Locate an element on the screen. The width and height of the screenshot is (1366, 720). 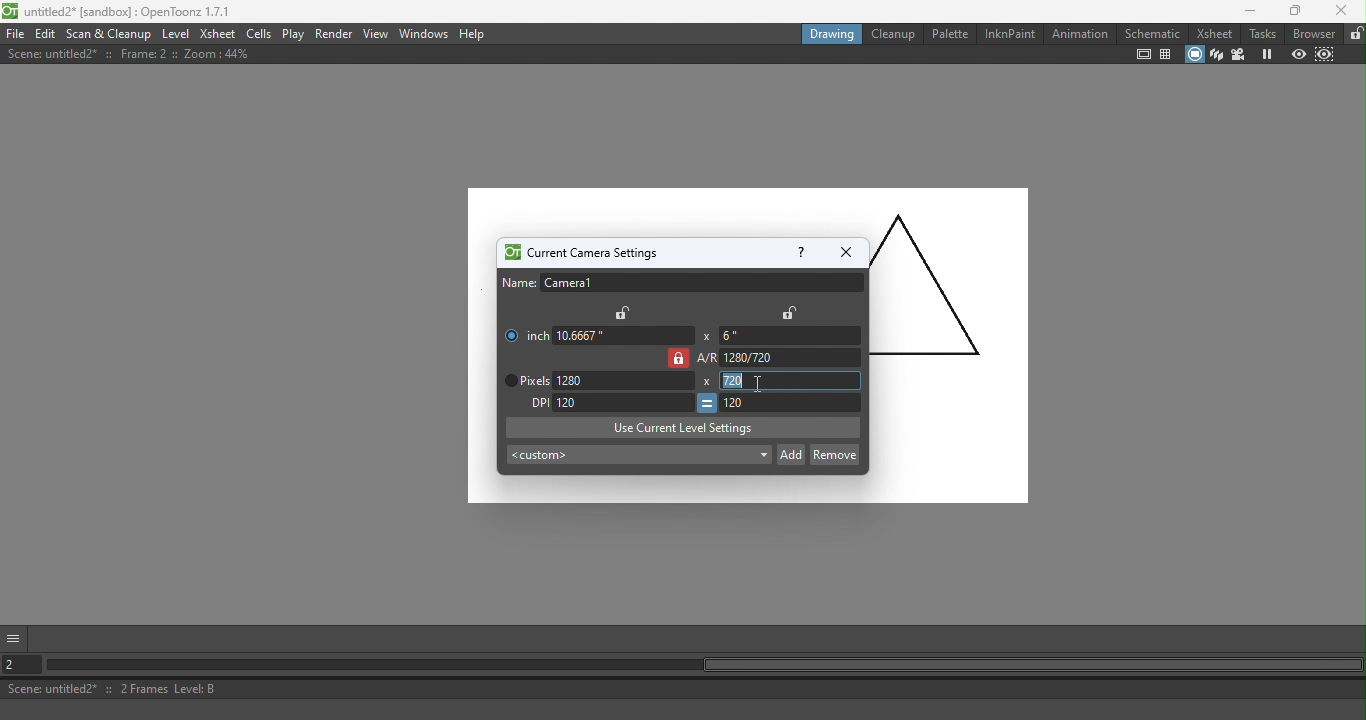
X is located at coordinates (707, 382).